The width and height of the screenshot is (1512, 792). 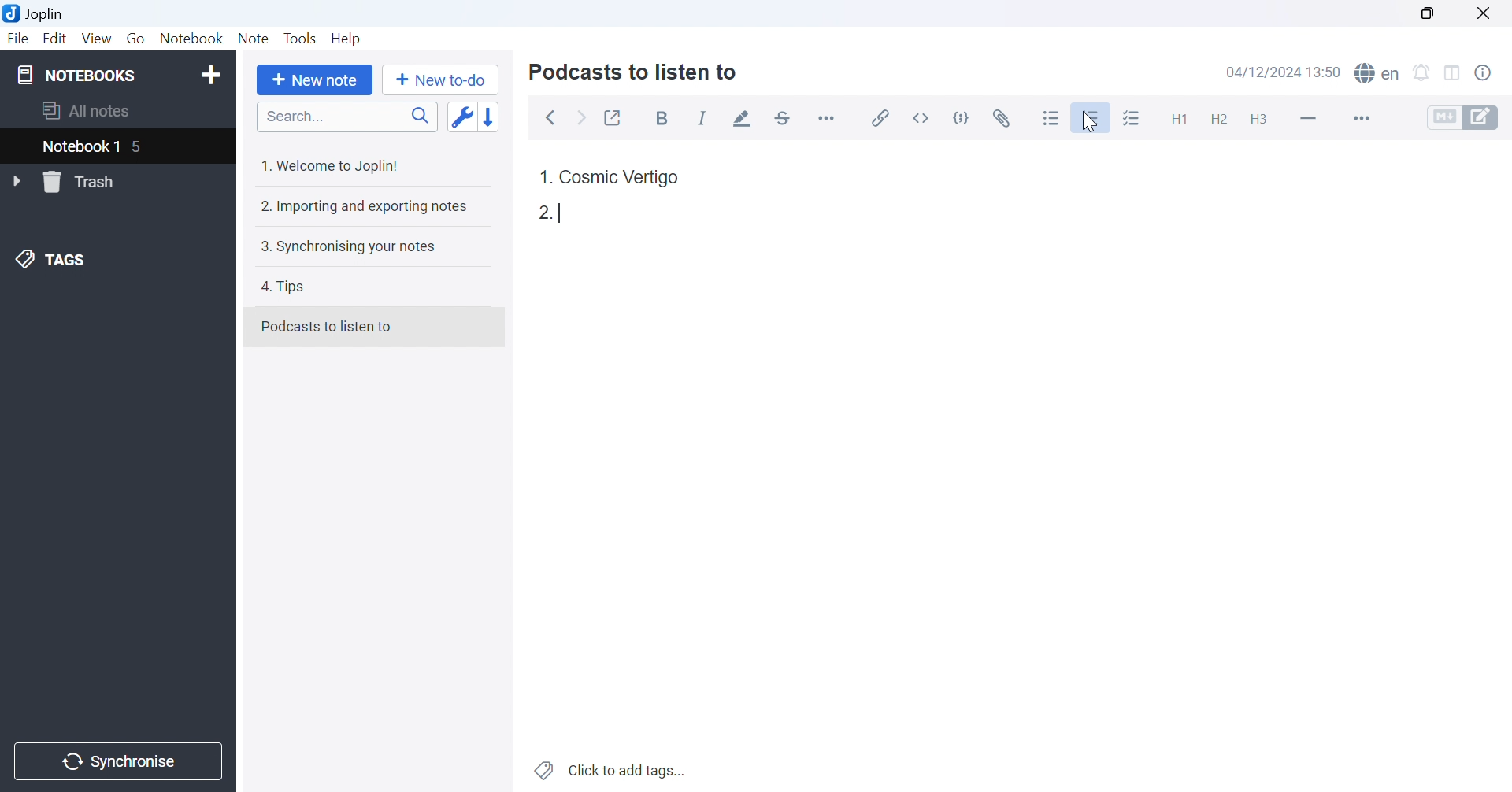 I want to click on Strikethrough, so click(x=784, y=117).